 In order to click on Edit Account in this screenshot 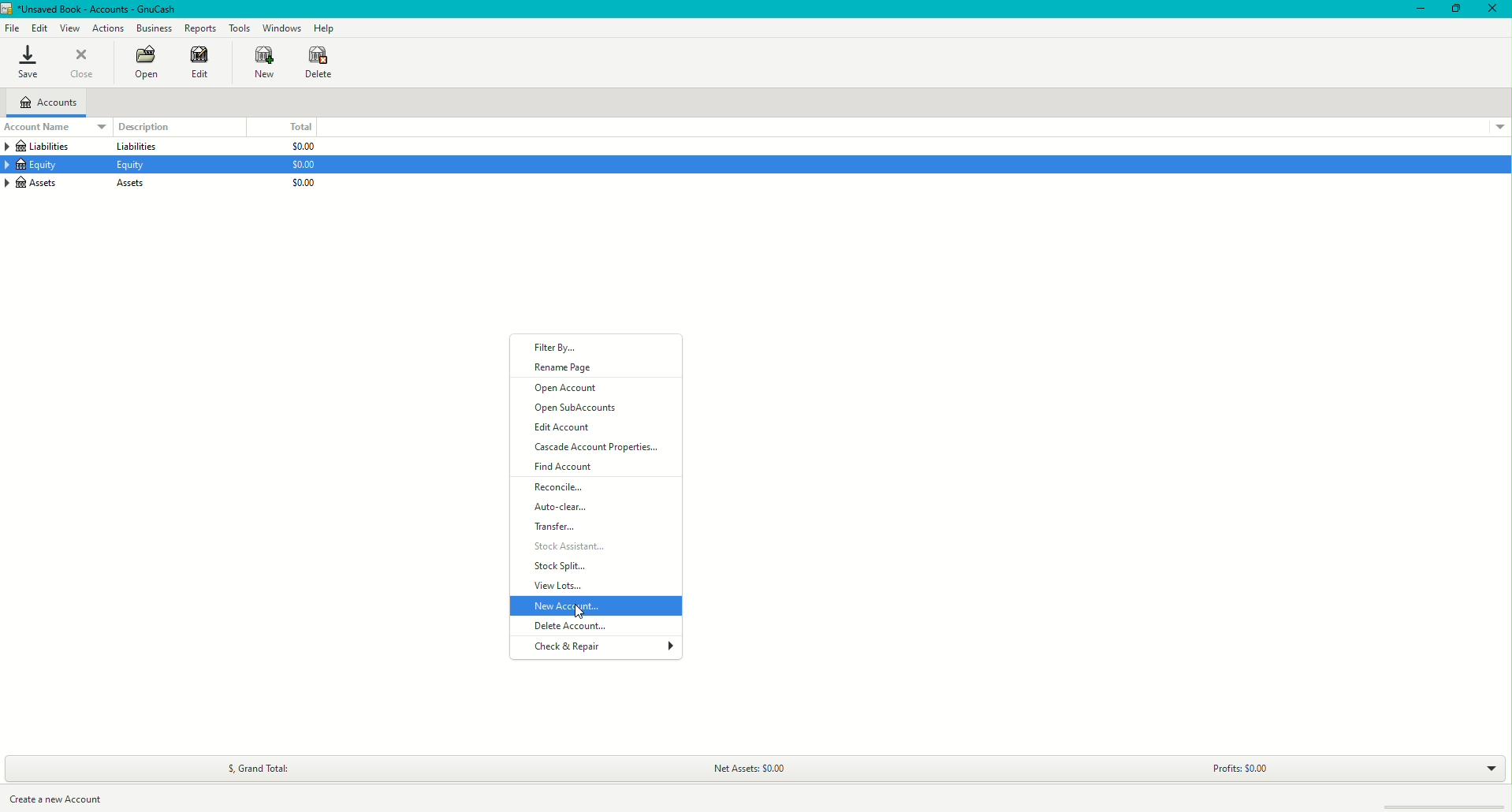, I will do `click(566, 426)`.